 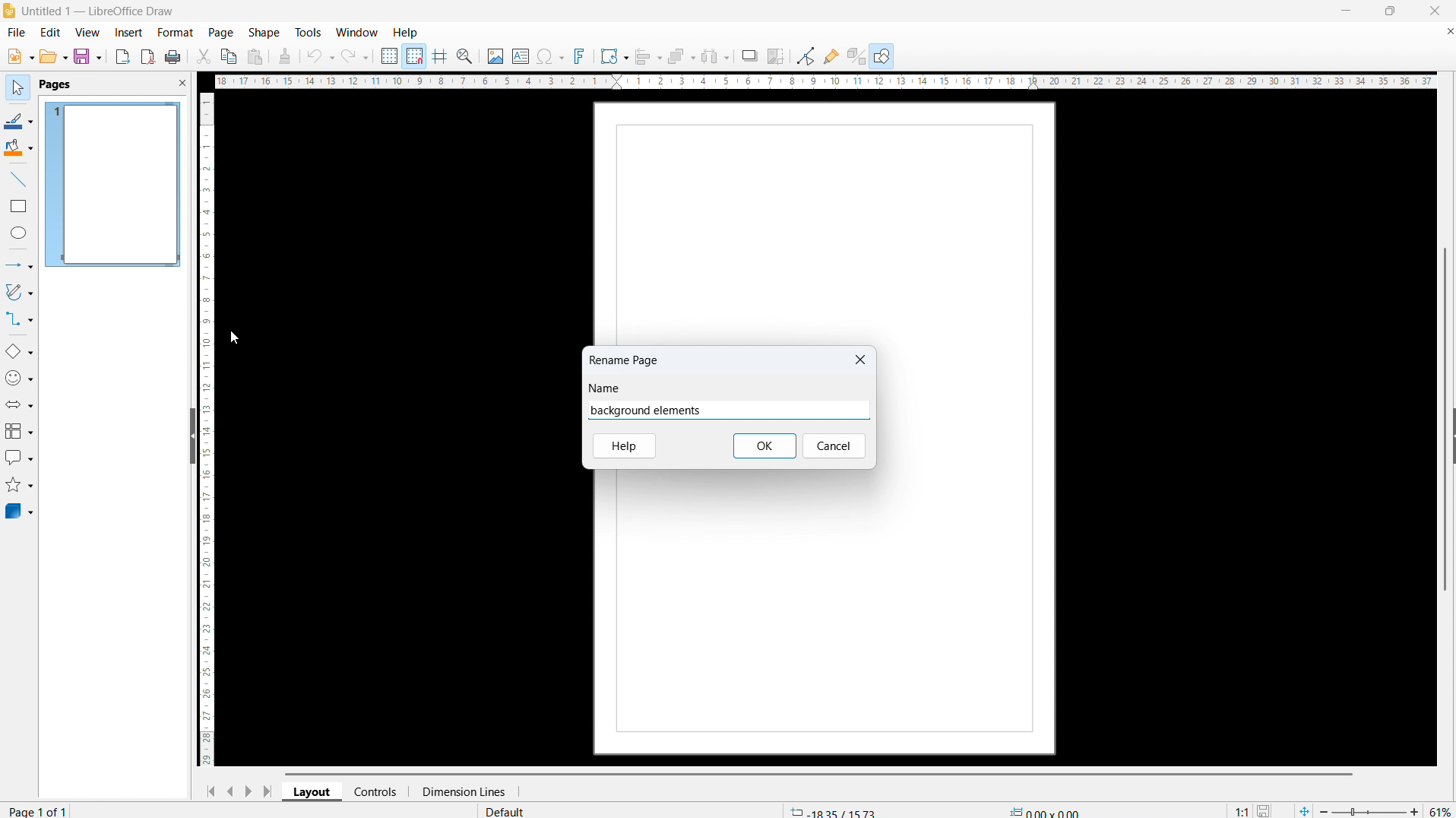 What do you see at coordinates (19, 207) in the screenshot?
I see `rectangle` at bounding box center [19, 207].